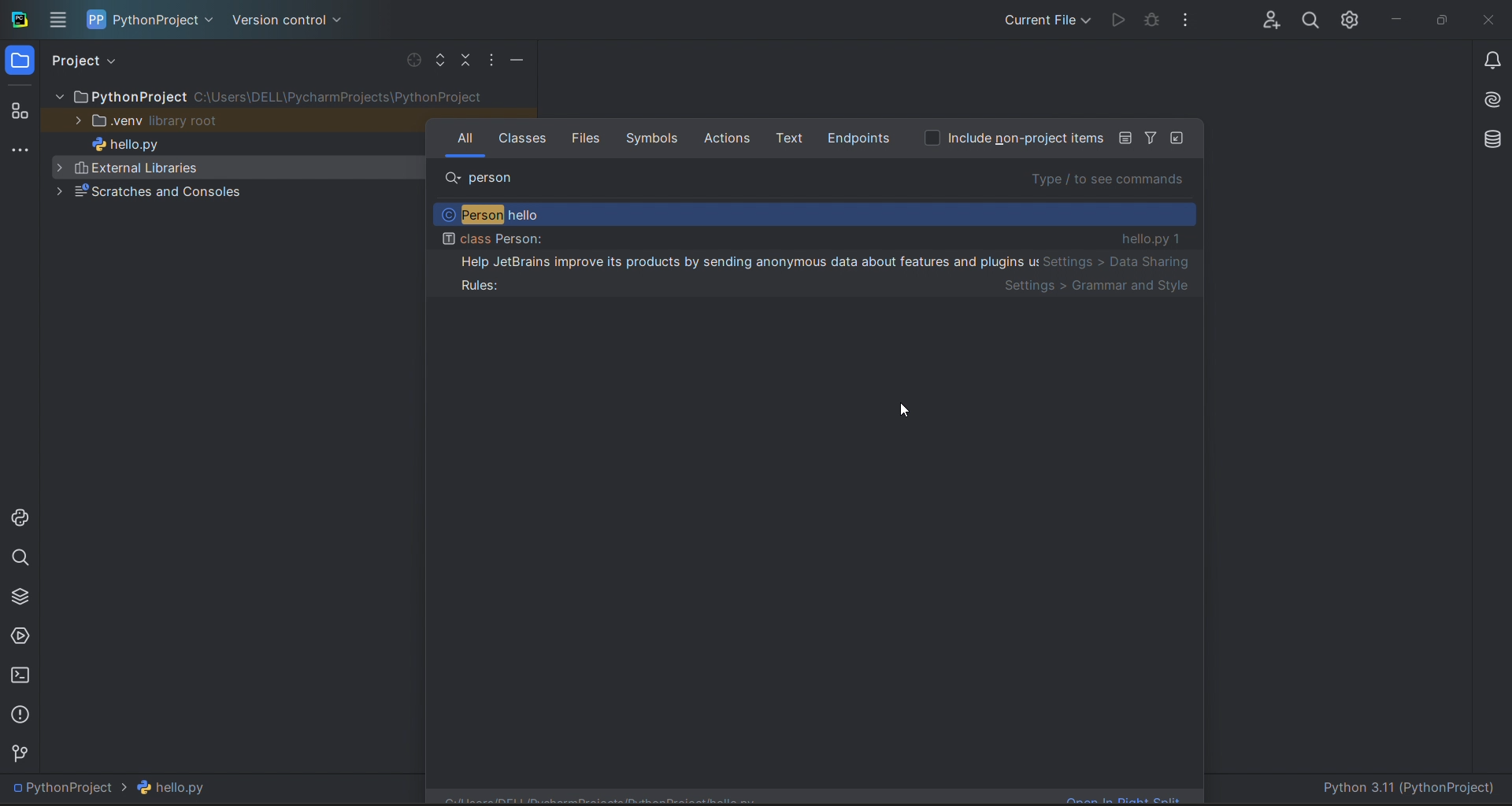 This screenshot has width=1512, height=806. Describe the element at coordinates (121, 788) in the screenshot. I see `PythonProject > hello.py` at that location.